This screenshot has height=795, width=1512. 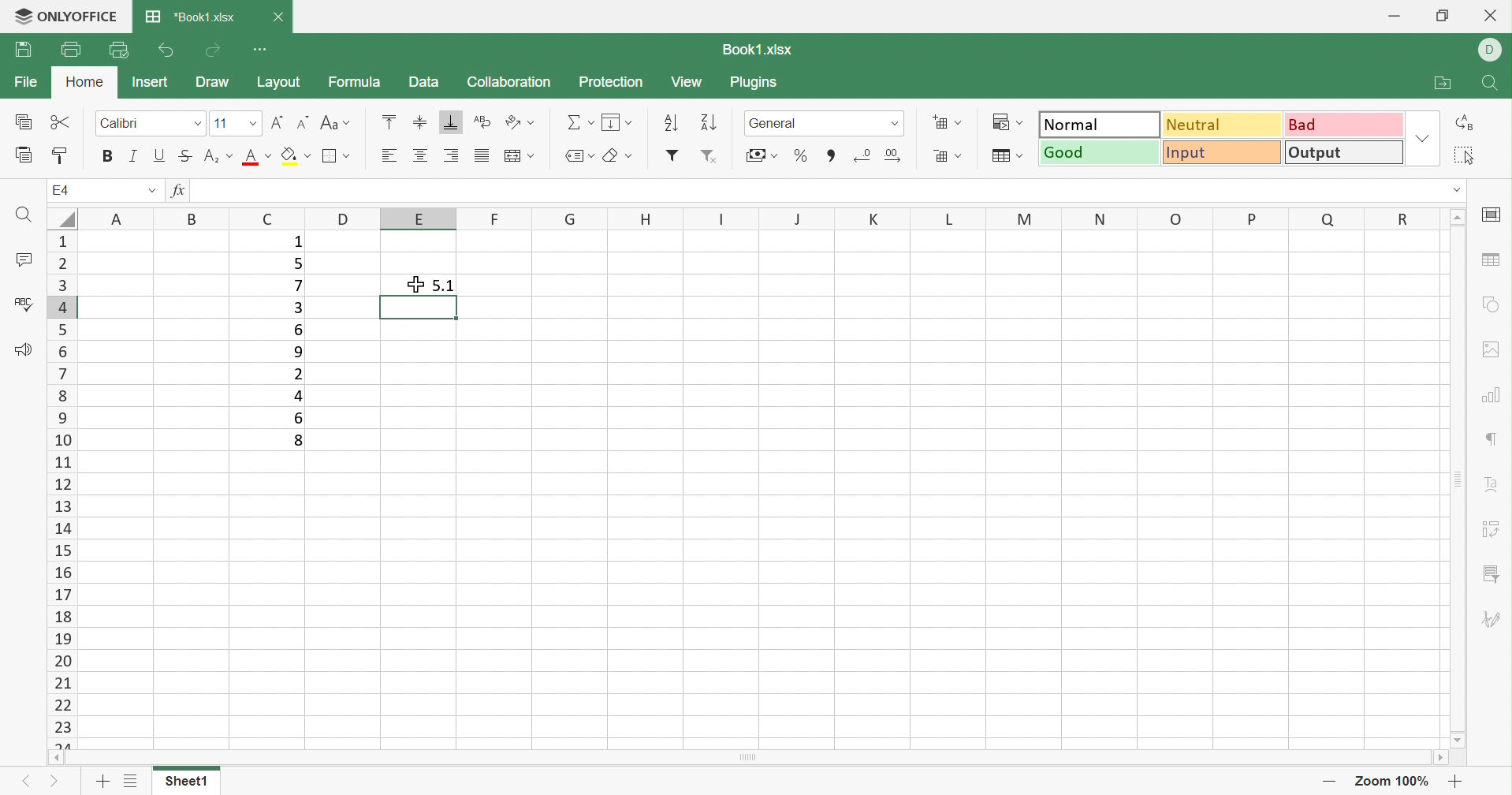 What do you see at coordinates (615, 153) in the screenshot?
I see `Clear` at bounding box center [615, 153].